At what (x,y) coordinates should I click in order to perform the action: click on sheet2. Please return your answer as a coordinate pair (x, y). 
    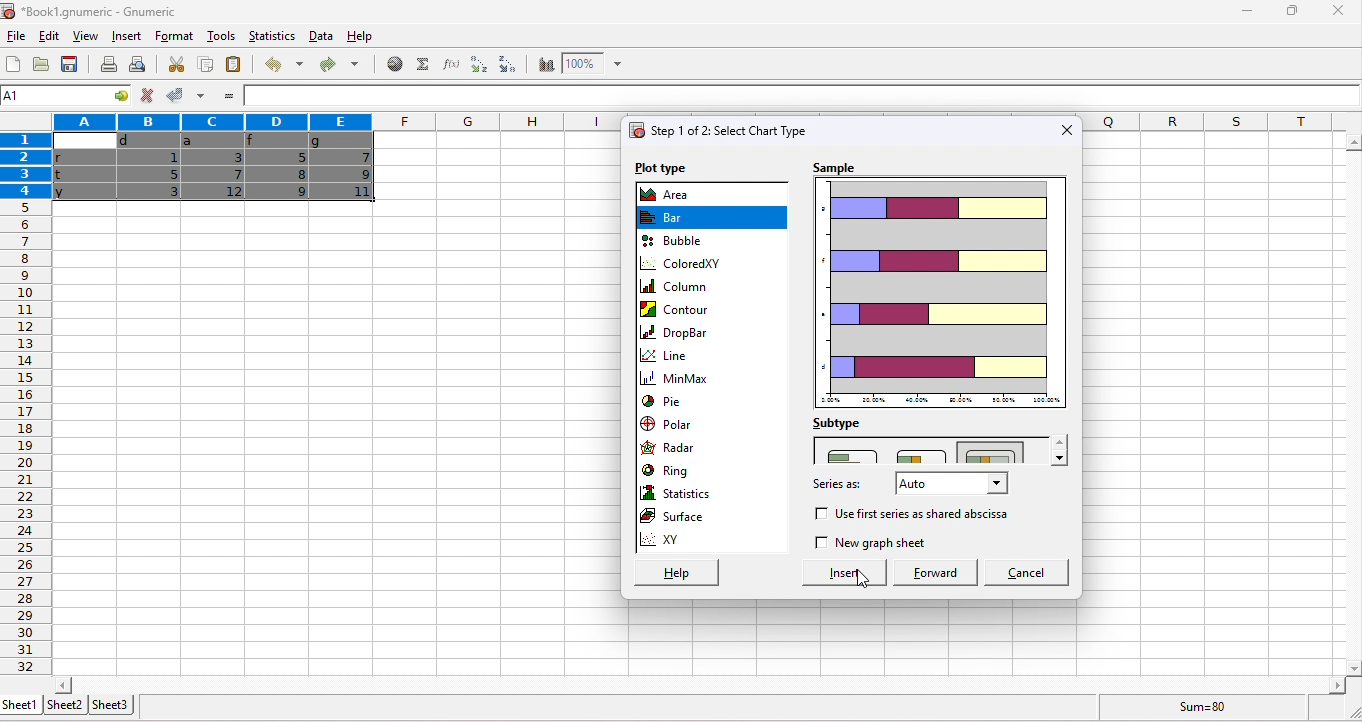
    Looking at the image, I should click on (65, 705).